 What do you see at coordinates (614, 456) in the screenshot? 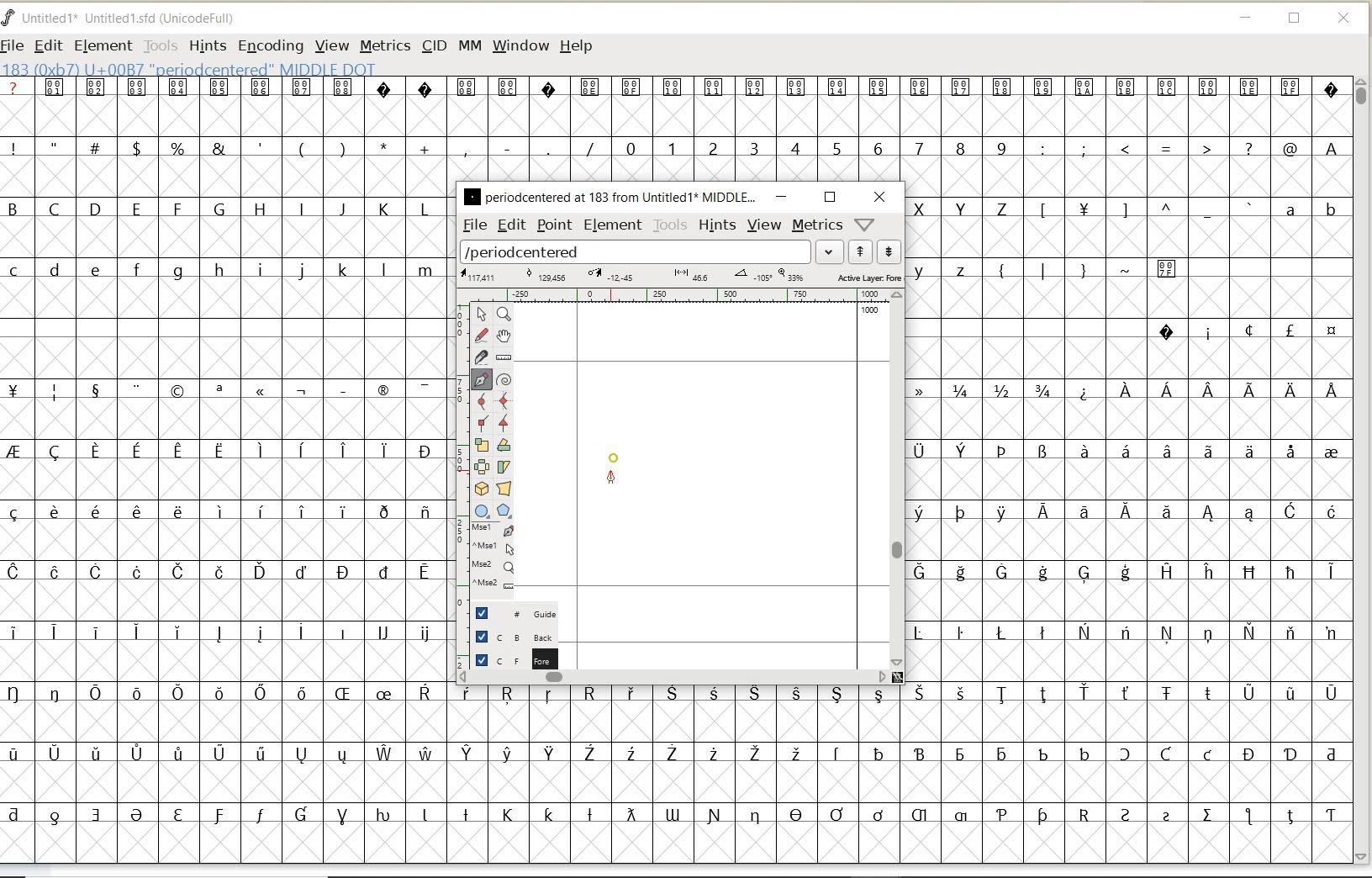
I see `dot` at bounding box center [614, 456].